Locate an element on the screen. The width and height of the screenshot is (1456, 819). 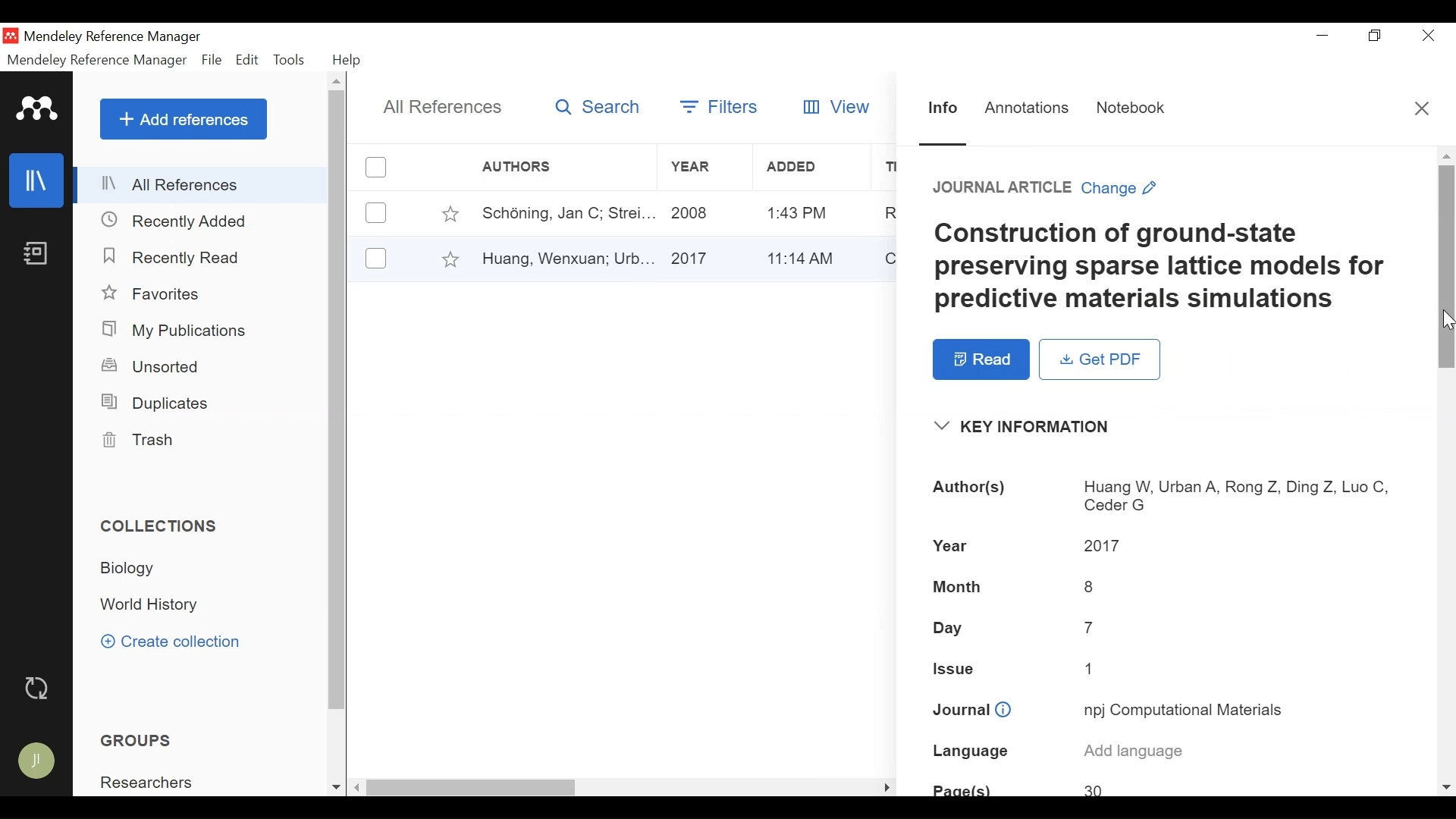
Year is located at coordinates (702, 257).